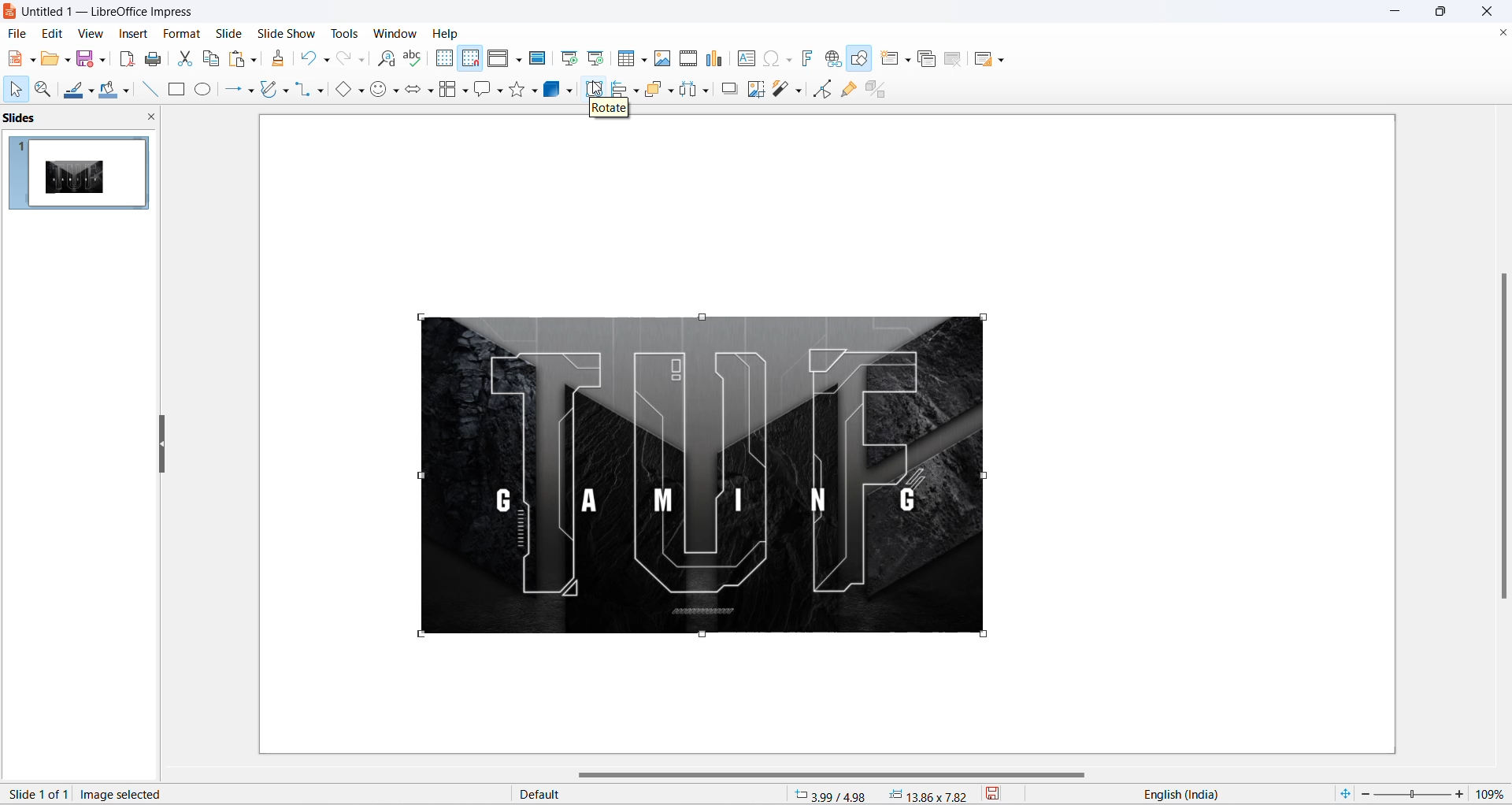  I want to click on save, so click(1003, 796).